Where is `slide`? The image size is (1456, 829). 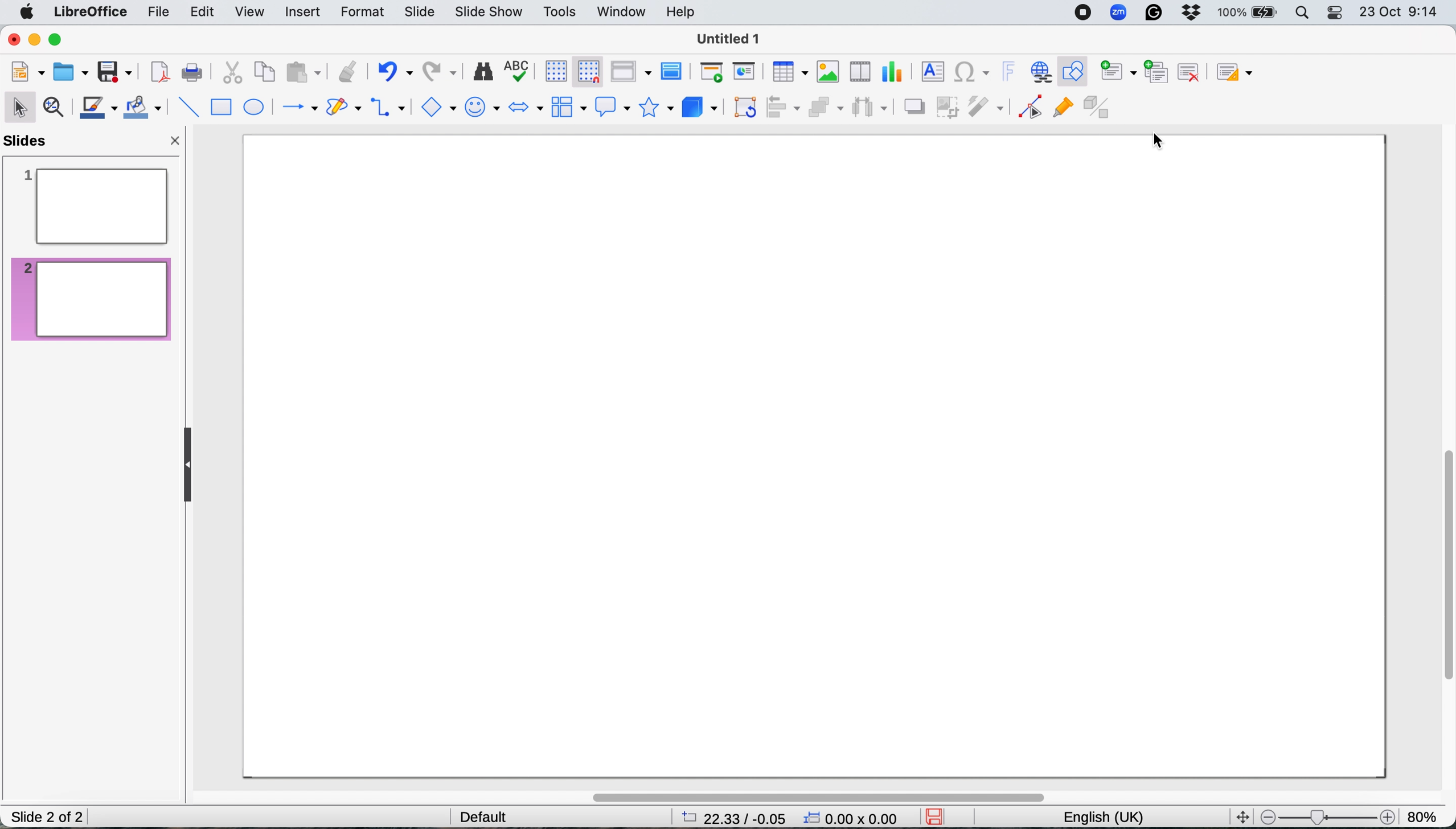 slide is located at coordinates (418, 10).